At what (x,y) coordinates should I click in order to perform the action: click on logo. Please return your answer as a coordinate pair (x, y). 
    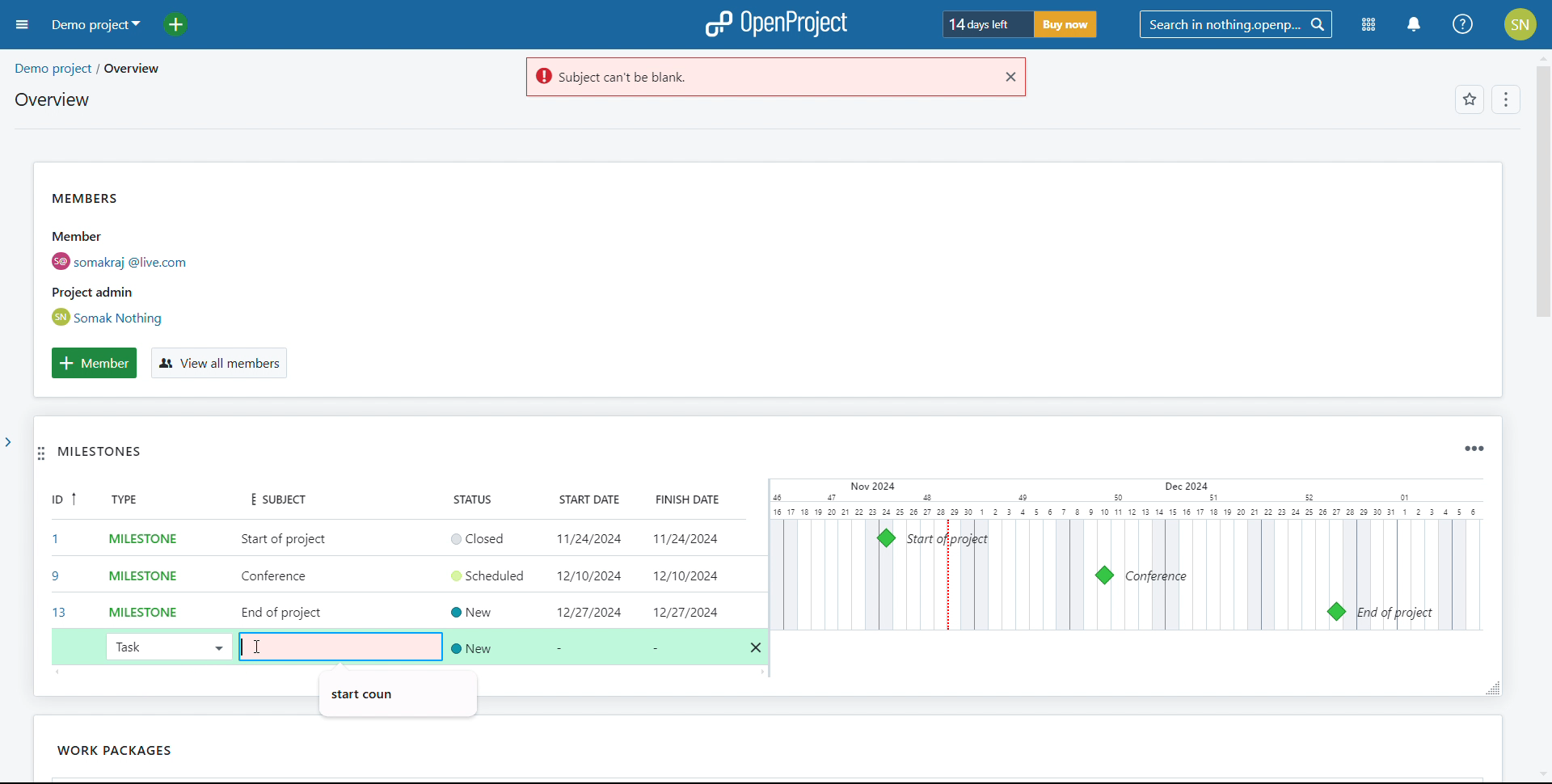
    Looking at the image, I should click on (776, 24).